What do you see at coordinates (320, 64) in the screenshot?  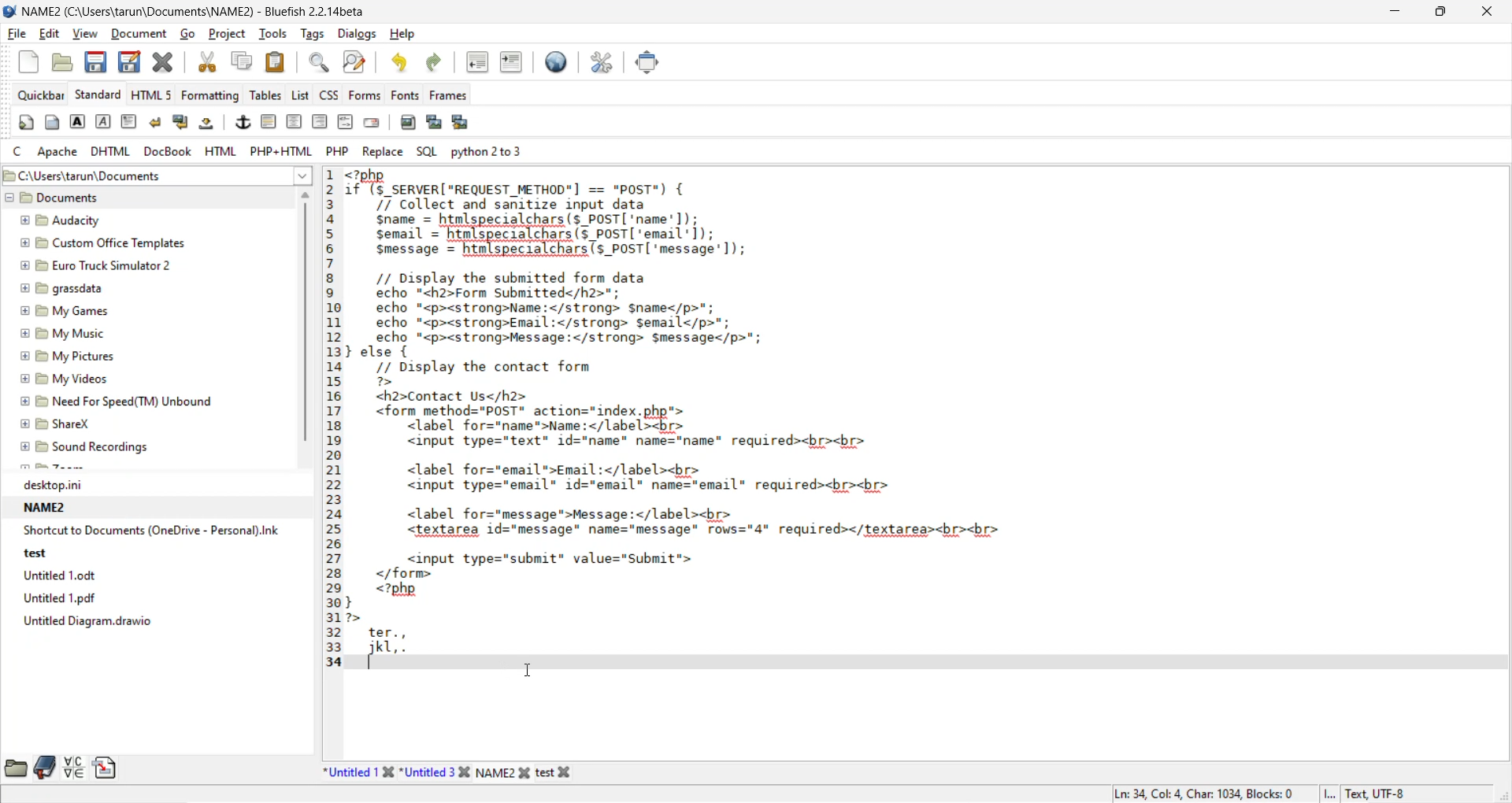 I see `find` at bounding box center [320, 64].